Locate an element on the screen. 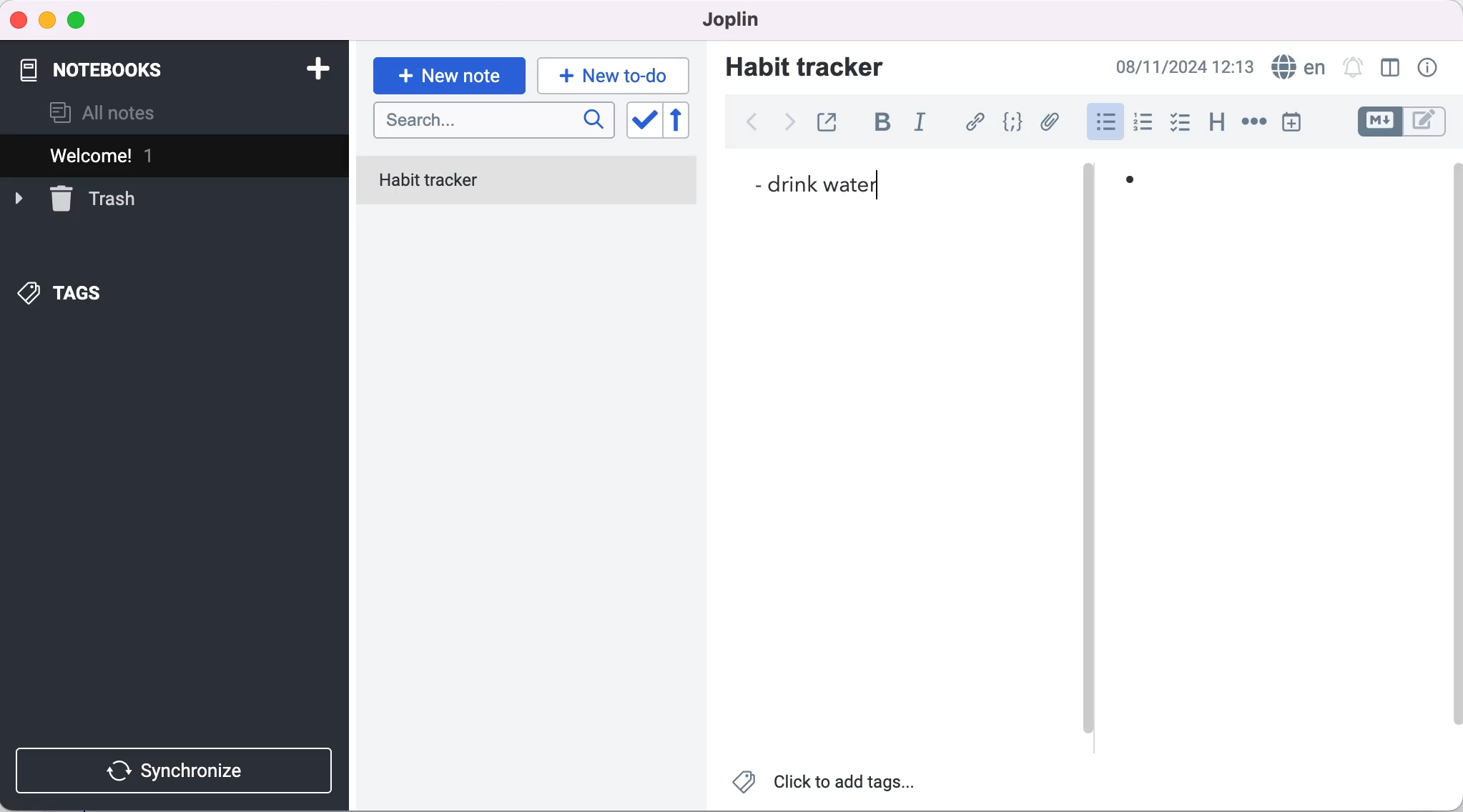  click to add tags is located at coordinates (826, 786).